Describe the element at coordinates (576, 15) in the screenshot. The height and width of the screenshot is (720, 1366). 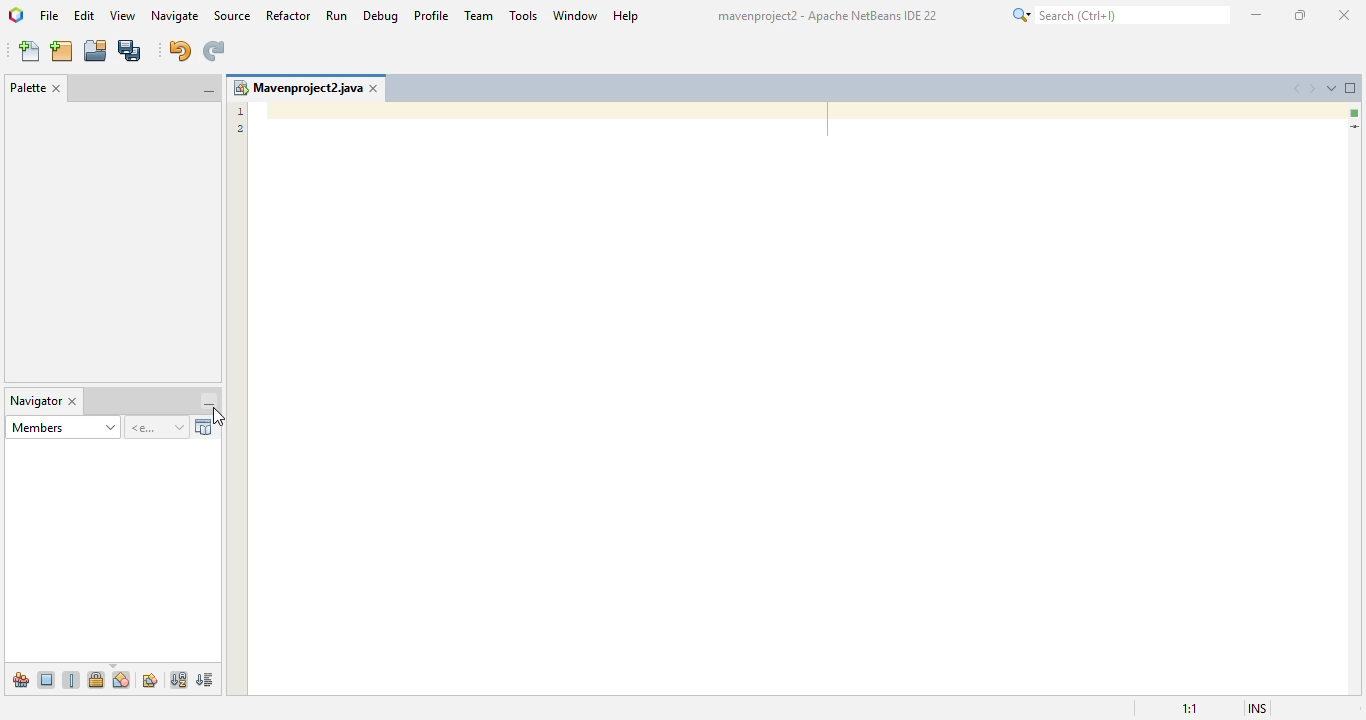
I see `window` at that location.